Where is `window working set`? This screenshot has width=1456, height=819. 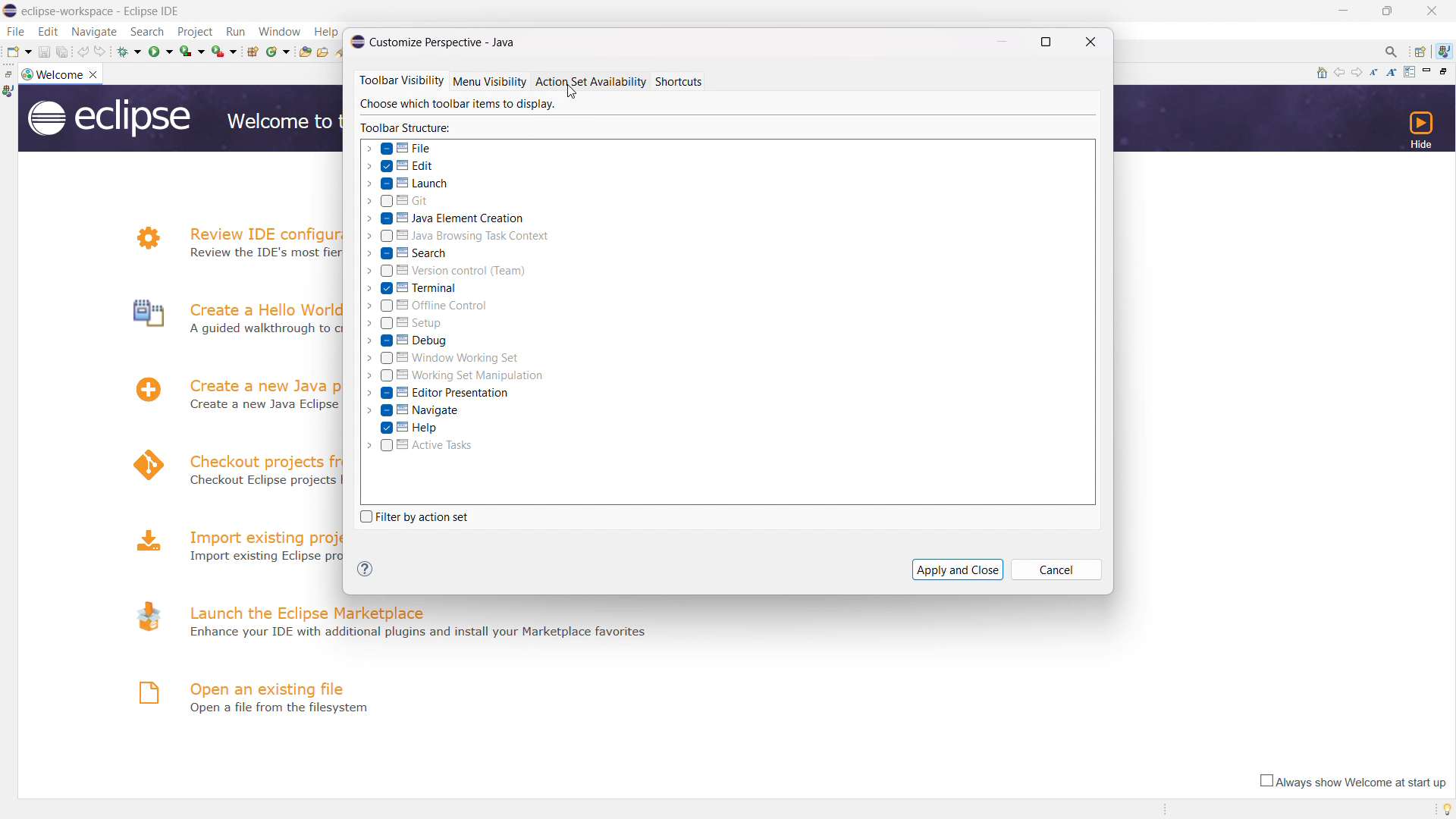 window working set is located at coordinates (440, 358).